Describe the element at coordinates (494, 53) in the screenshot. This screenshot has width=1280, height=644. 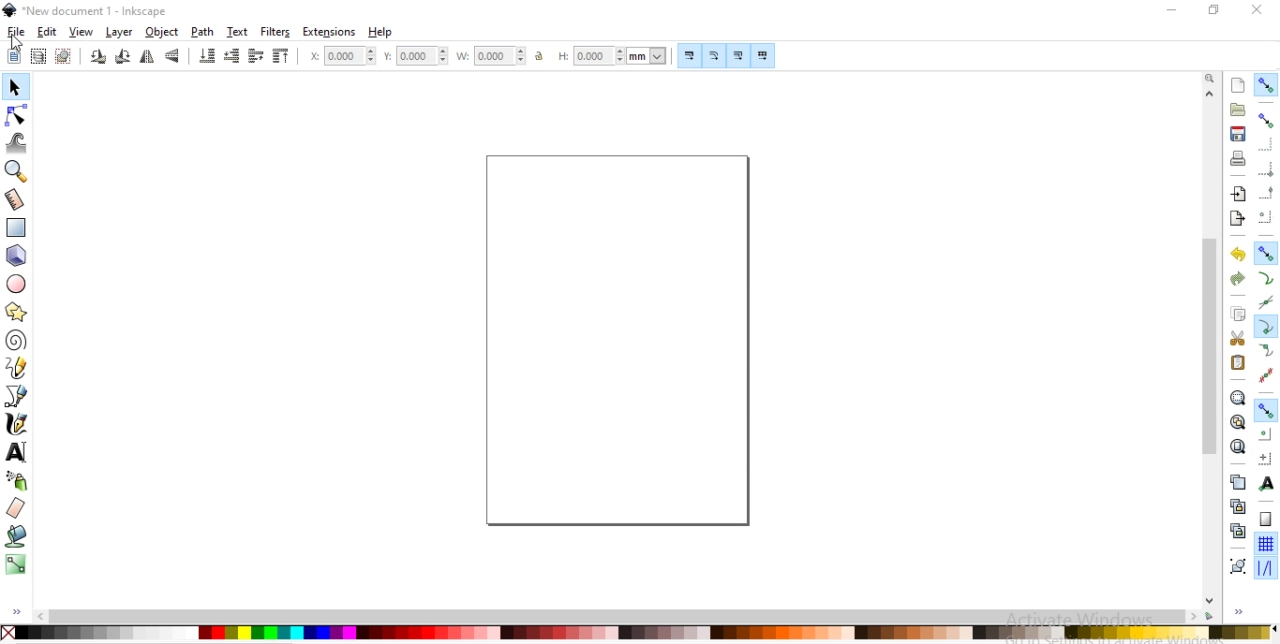
I see `width of selection` at that location.